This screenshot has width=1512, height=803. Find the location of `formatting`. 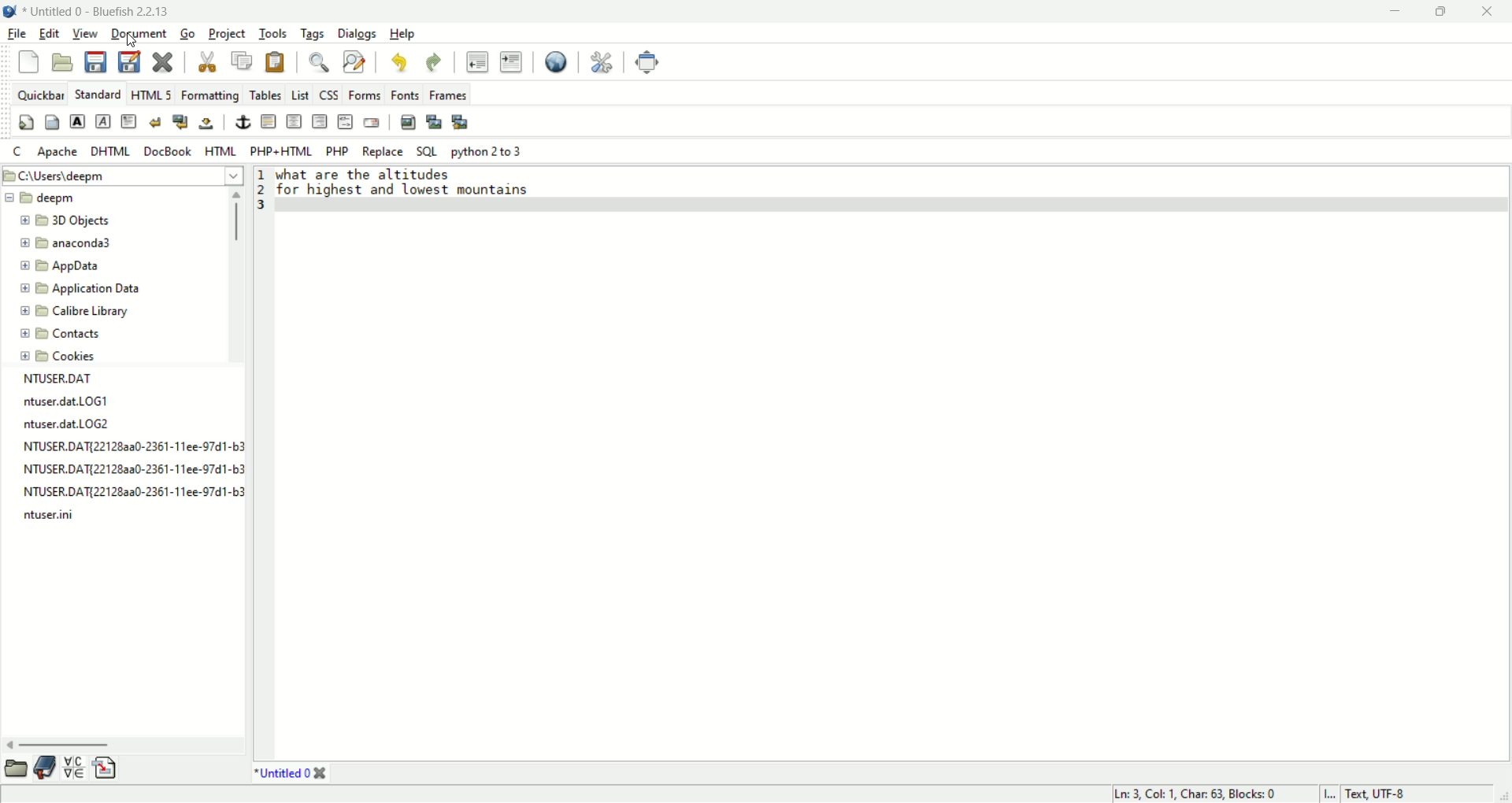

formatting is located at coordinates (212, 94).